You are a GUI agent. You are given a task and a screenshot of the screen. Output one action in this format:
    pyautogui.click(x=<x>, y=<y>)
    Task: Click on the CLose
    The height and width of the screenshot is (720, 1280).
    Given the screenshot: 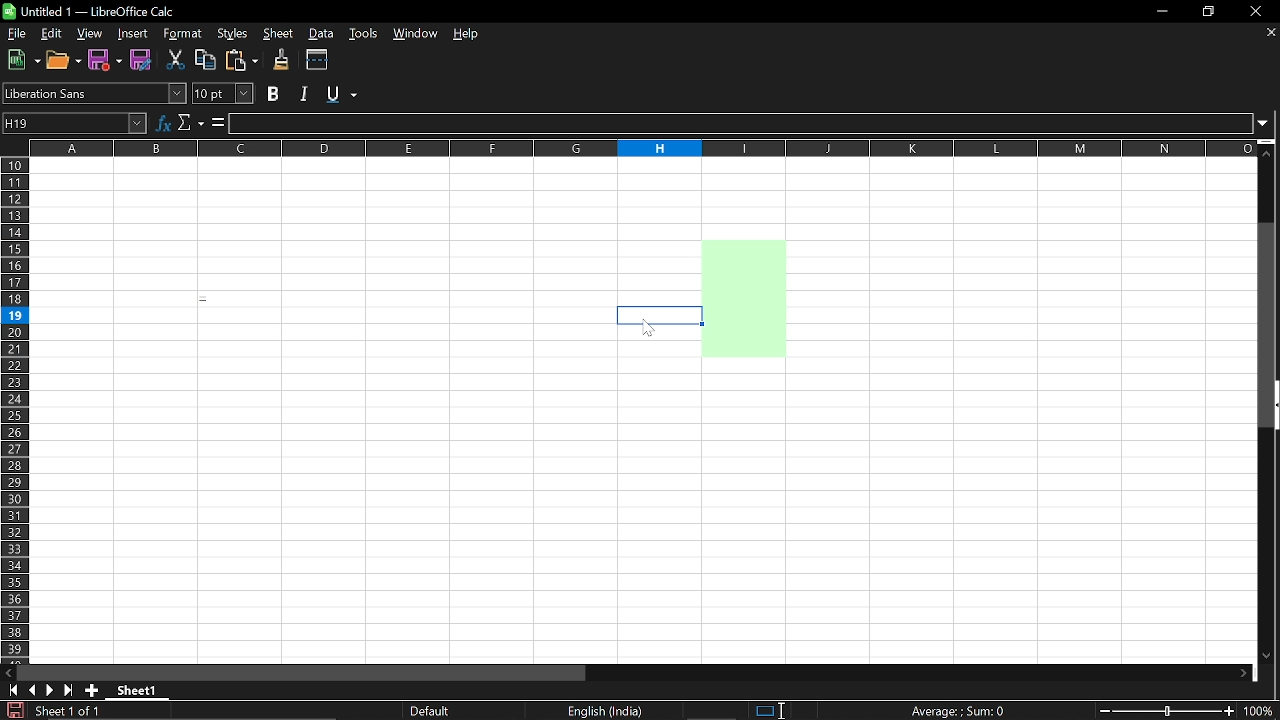 What is the action you would take?
    pyautogui.click(x=1255, y=11)
    